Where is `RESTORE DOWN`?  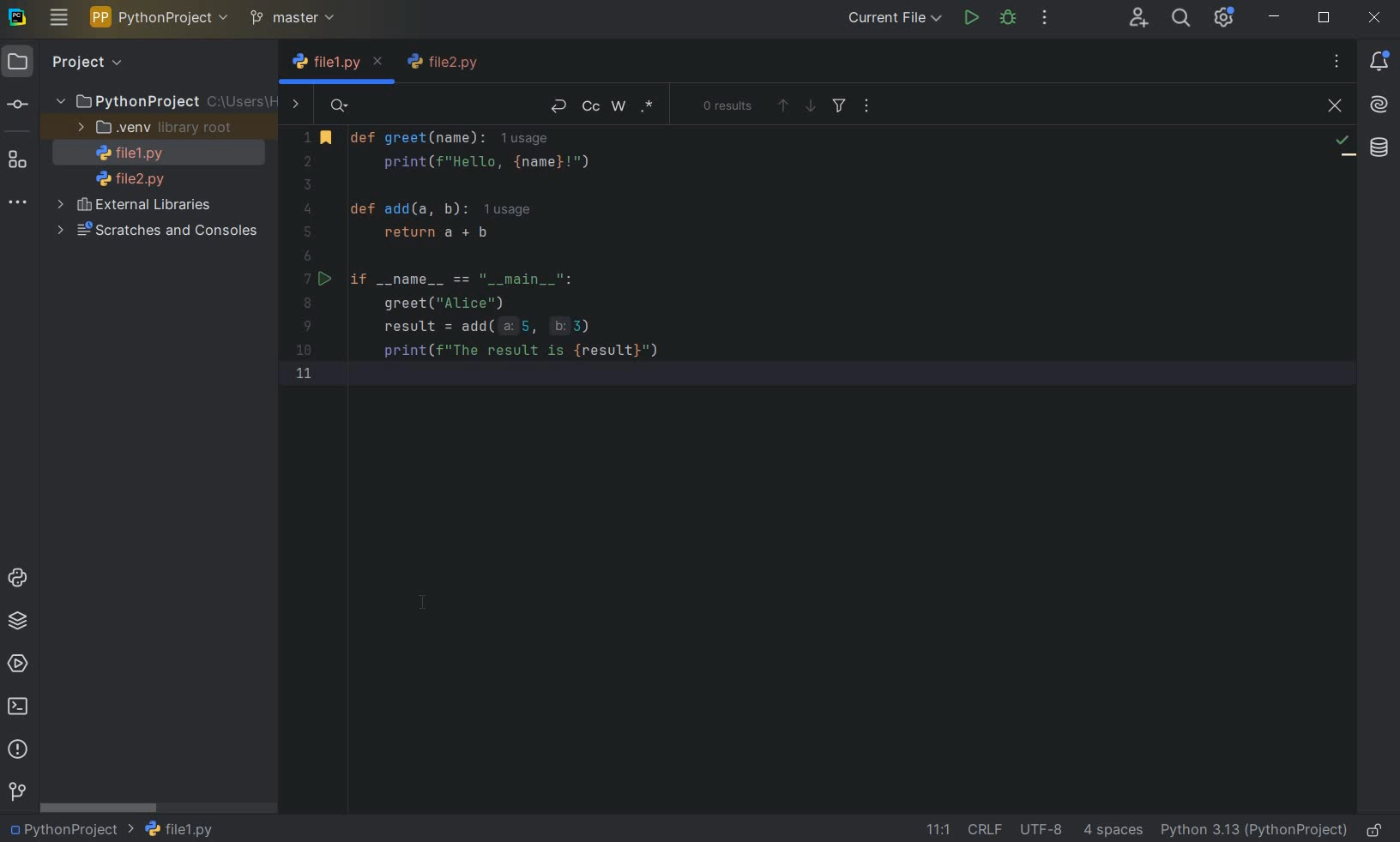
RESTORE DOWN is located at coordinates (1325, 20).